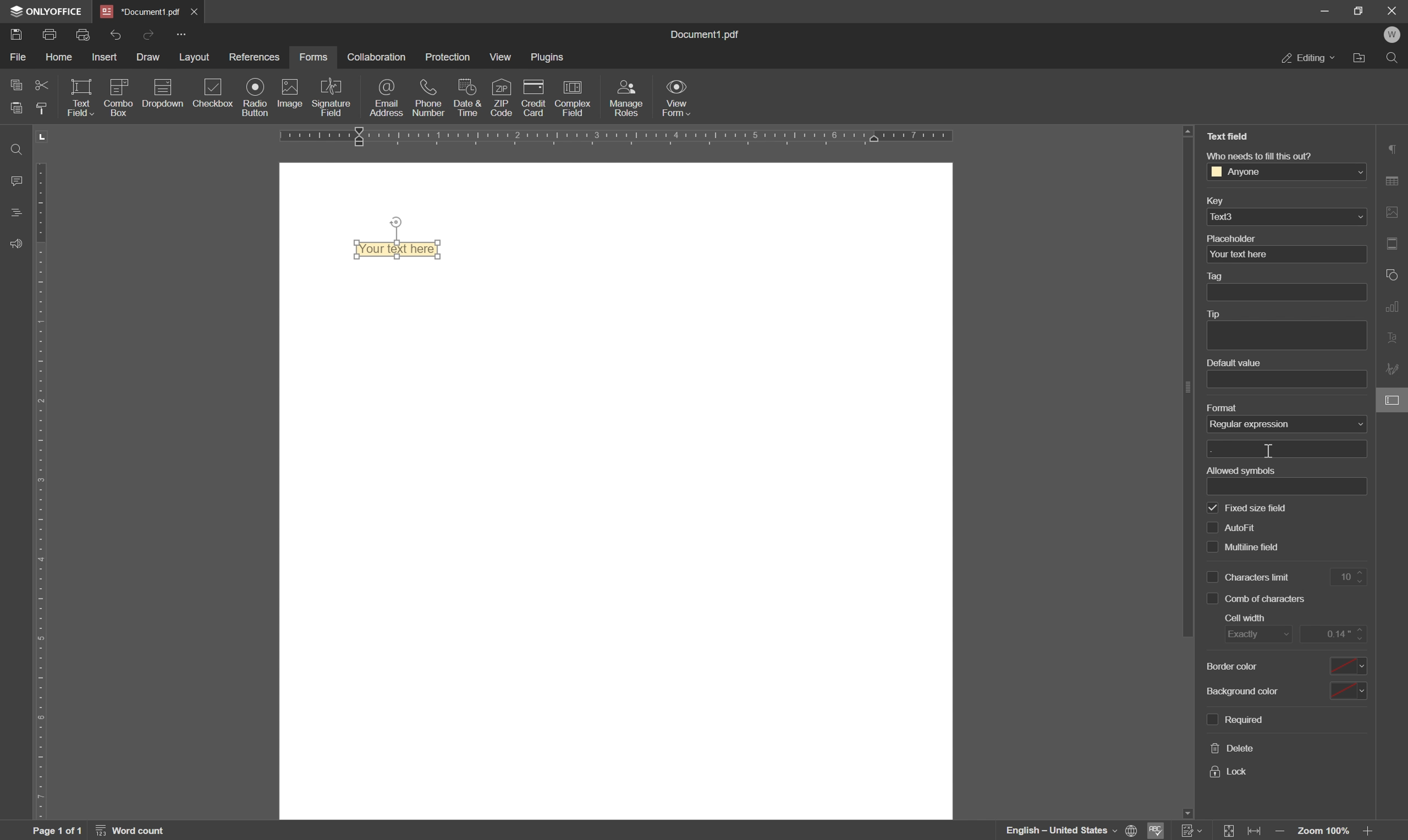 The image size is (1408, 840). What do you see at coordinates (333, 97) in the screenshot?
I see `signature field` at bounding box center [333, 97].